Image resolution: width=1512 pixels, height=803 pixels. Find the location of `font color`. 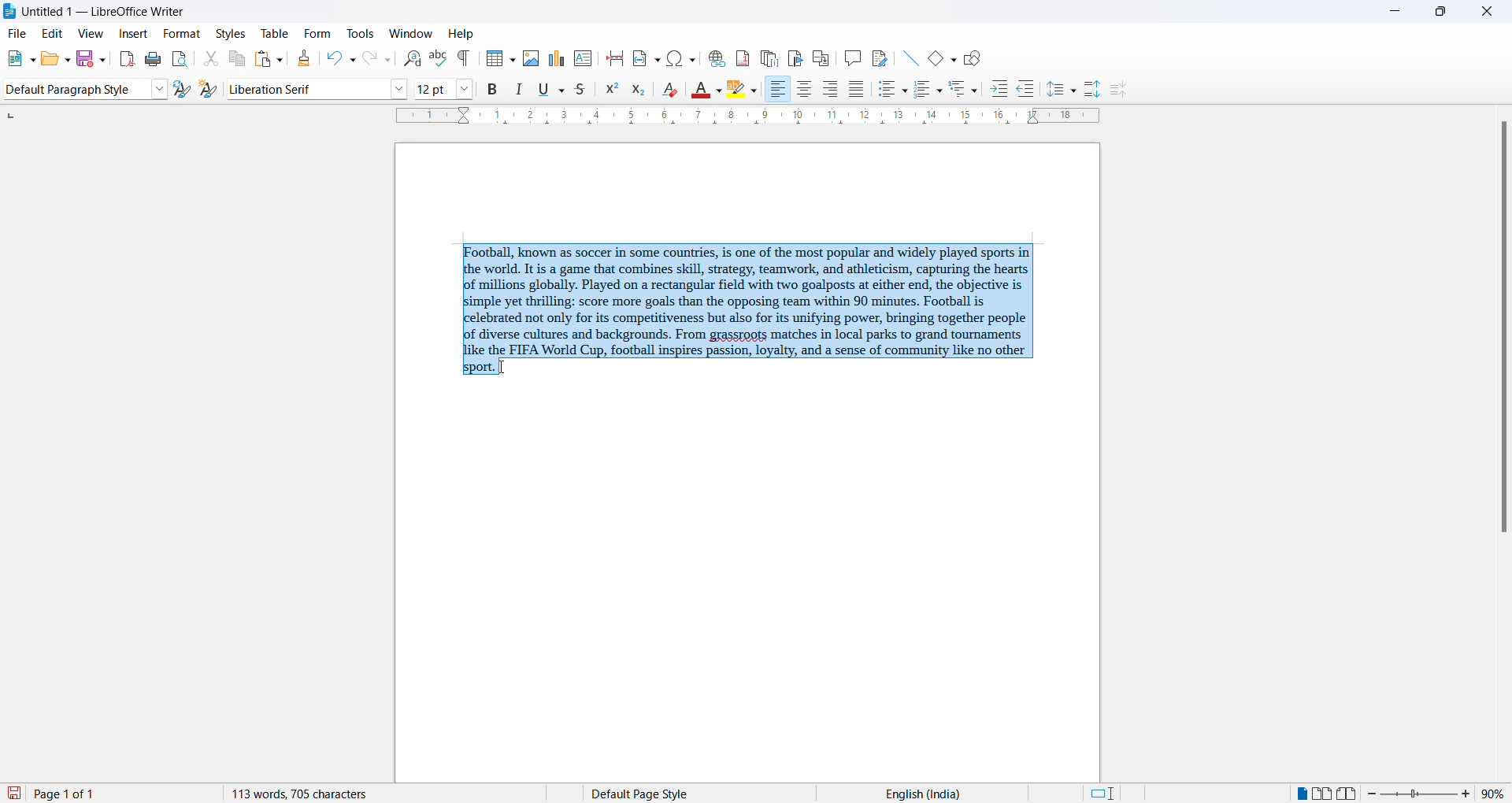

font color is located at coordinates (699, 89).